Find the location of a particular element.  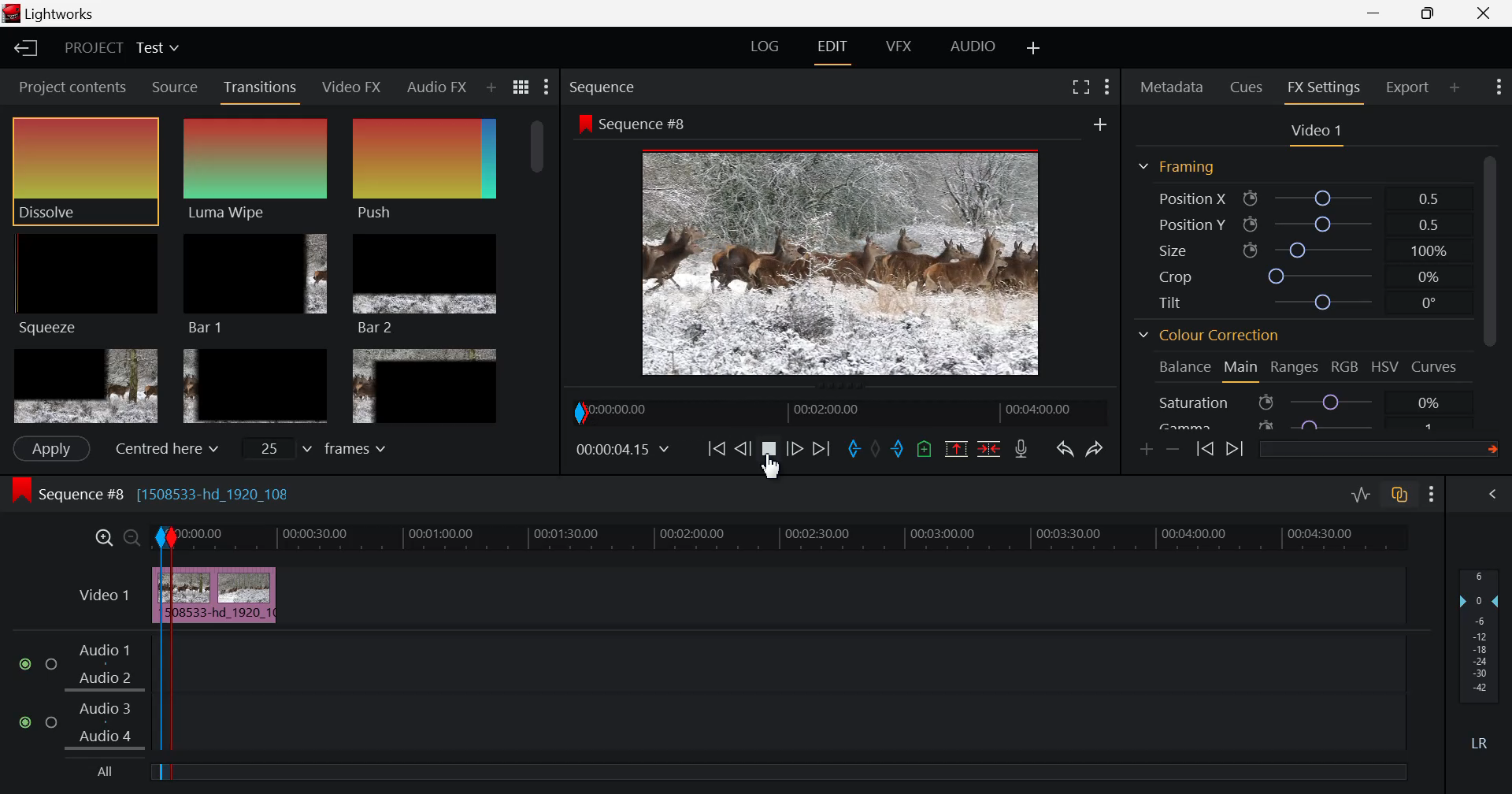

Remove all cues is located at coordinates (922, 448).